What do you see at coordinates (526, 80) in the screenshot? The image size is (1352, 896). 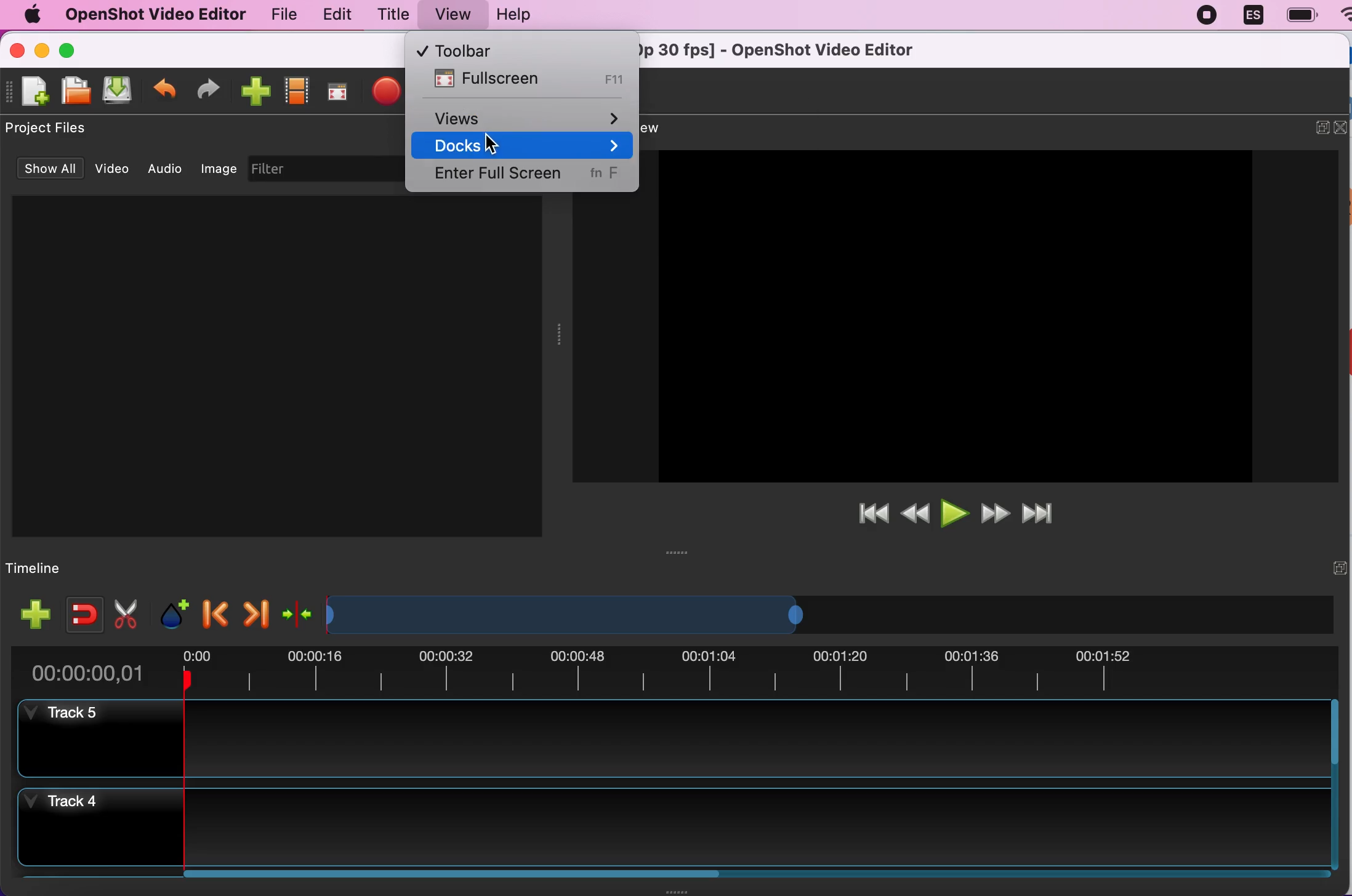 I see `fullscreen` at bounding box center [526, 80].